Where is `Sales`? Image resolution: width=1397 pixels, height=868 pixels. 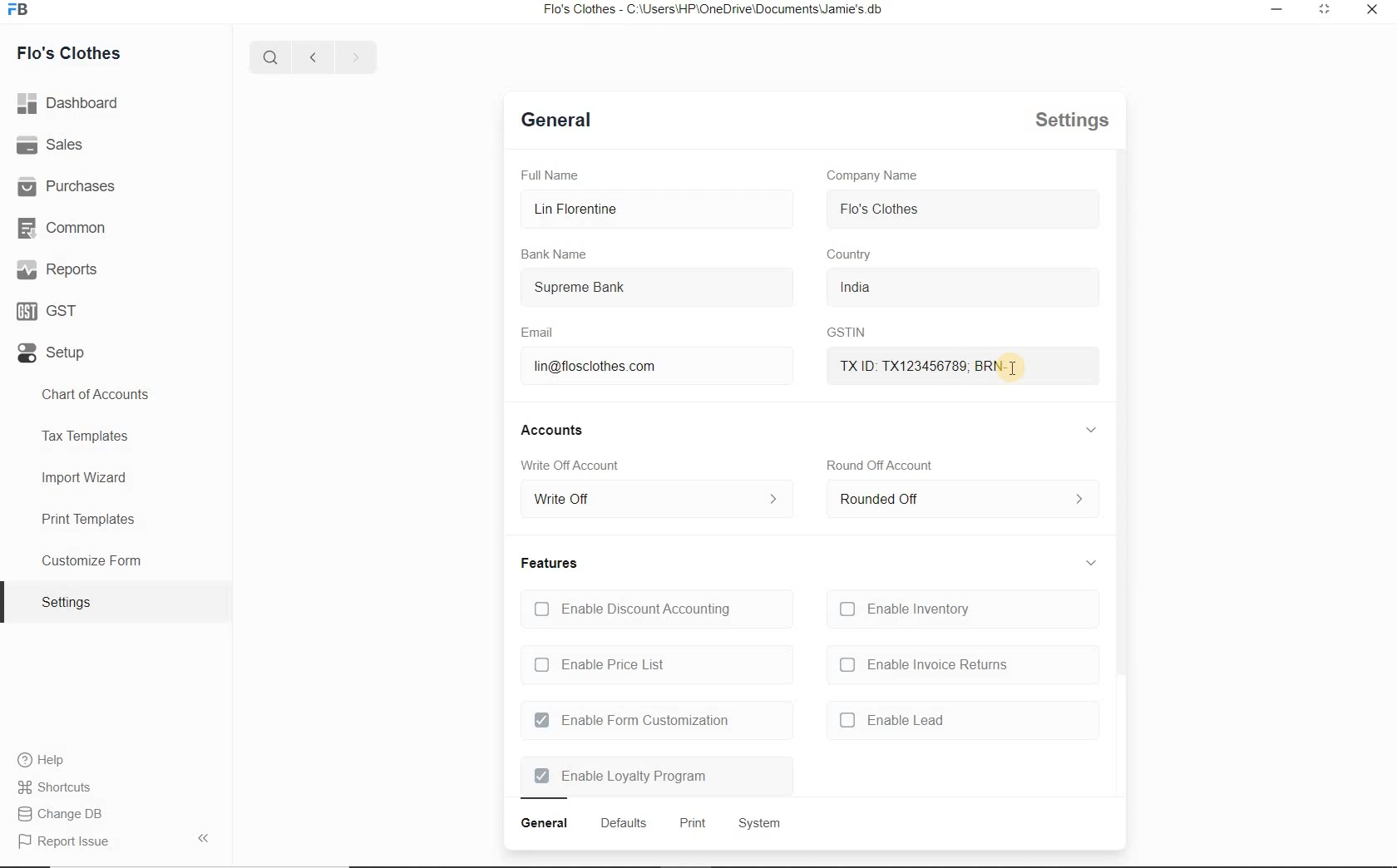 Sales is located at coordinates (53, 146).